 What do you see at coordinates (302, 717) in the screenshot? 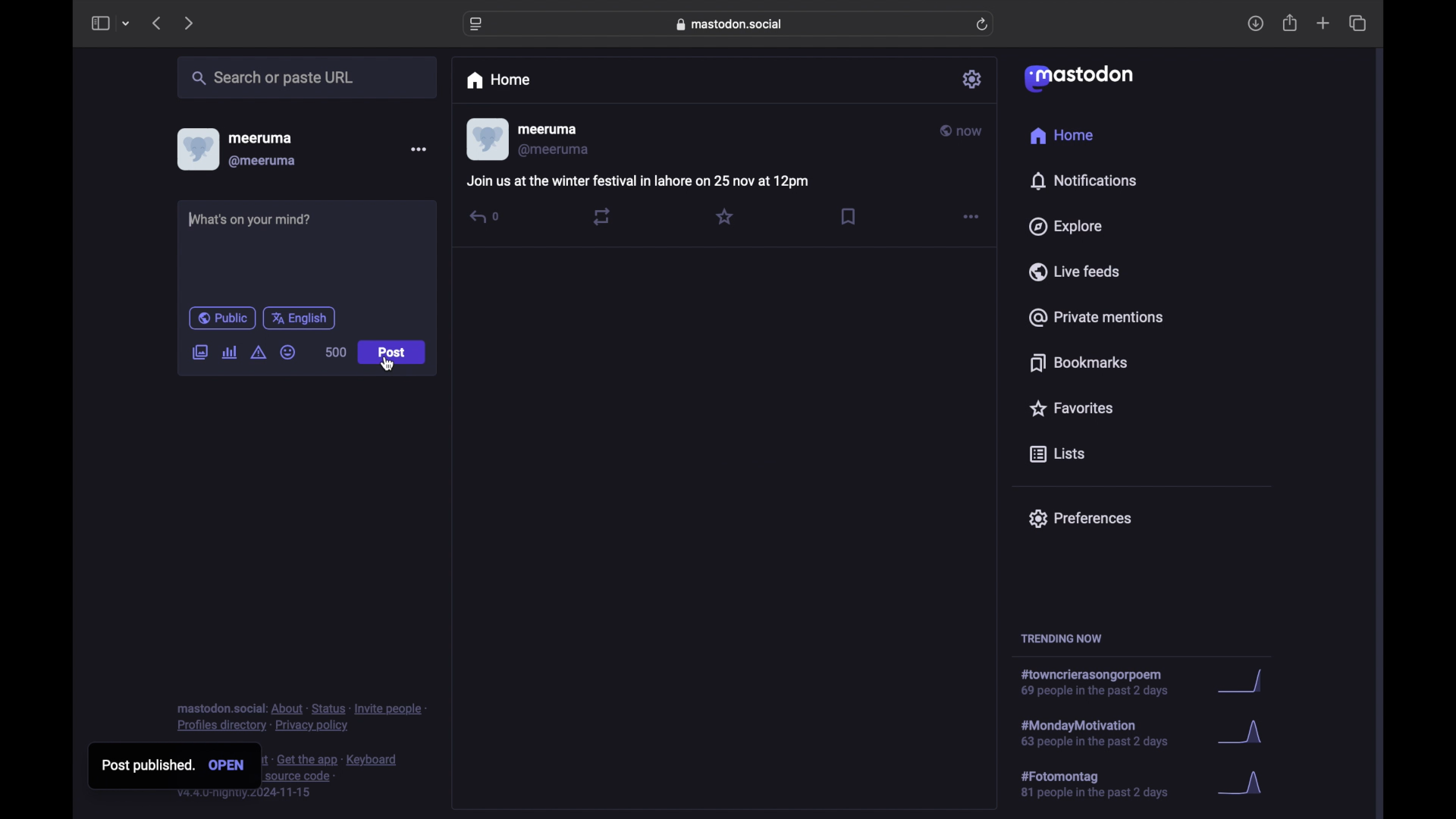
I see `footnote` at bounding box center [302, 717].